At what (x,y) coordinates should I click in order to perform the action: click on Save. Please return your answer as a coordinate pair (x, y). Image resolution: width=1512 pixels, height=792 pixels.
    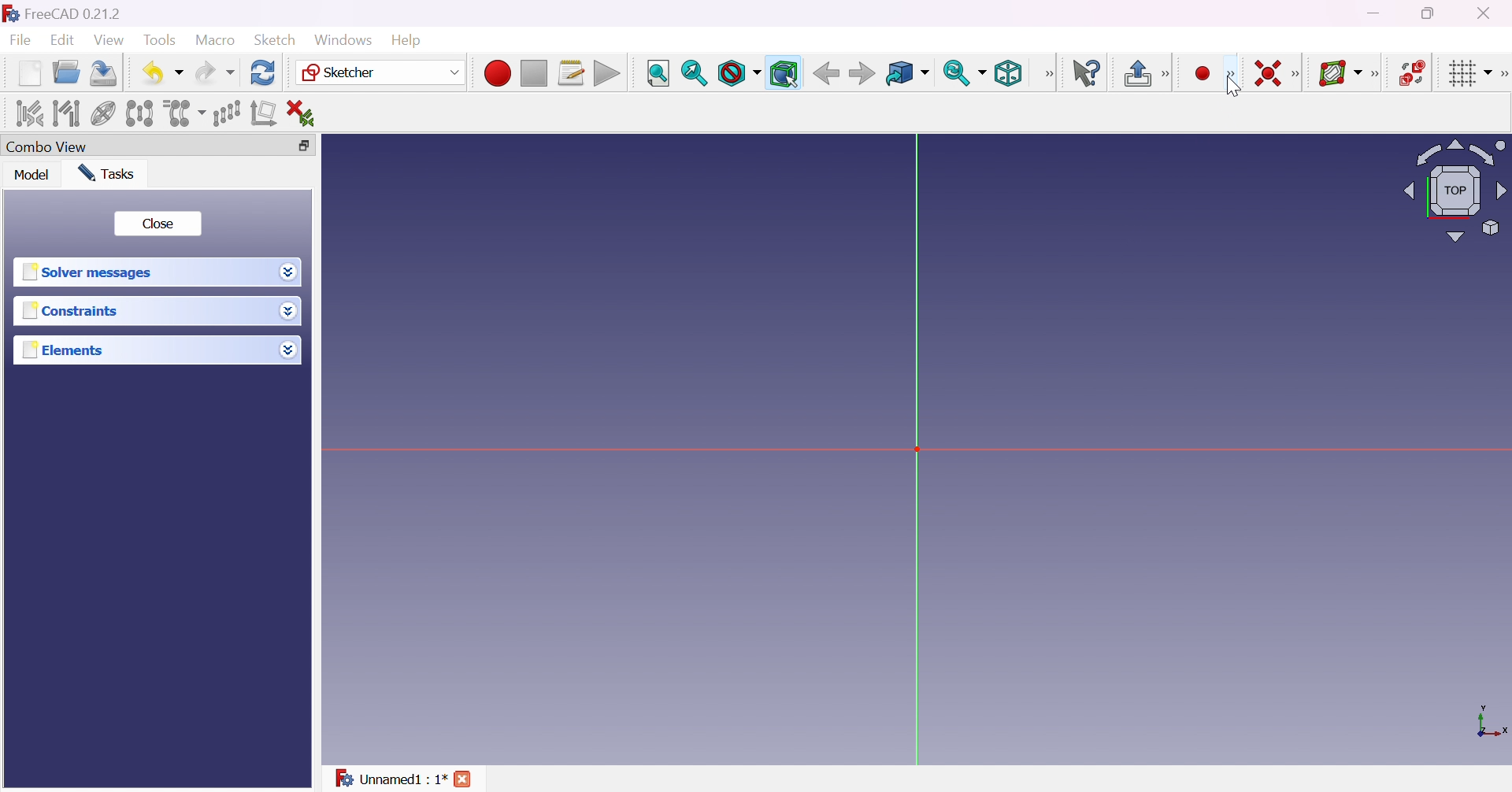
    Looking at the image, I should click on (101, 72).